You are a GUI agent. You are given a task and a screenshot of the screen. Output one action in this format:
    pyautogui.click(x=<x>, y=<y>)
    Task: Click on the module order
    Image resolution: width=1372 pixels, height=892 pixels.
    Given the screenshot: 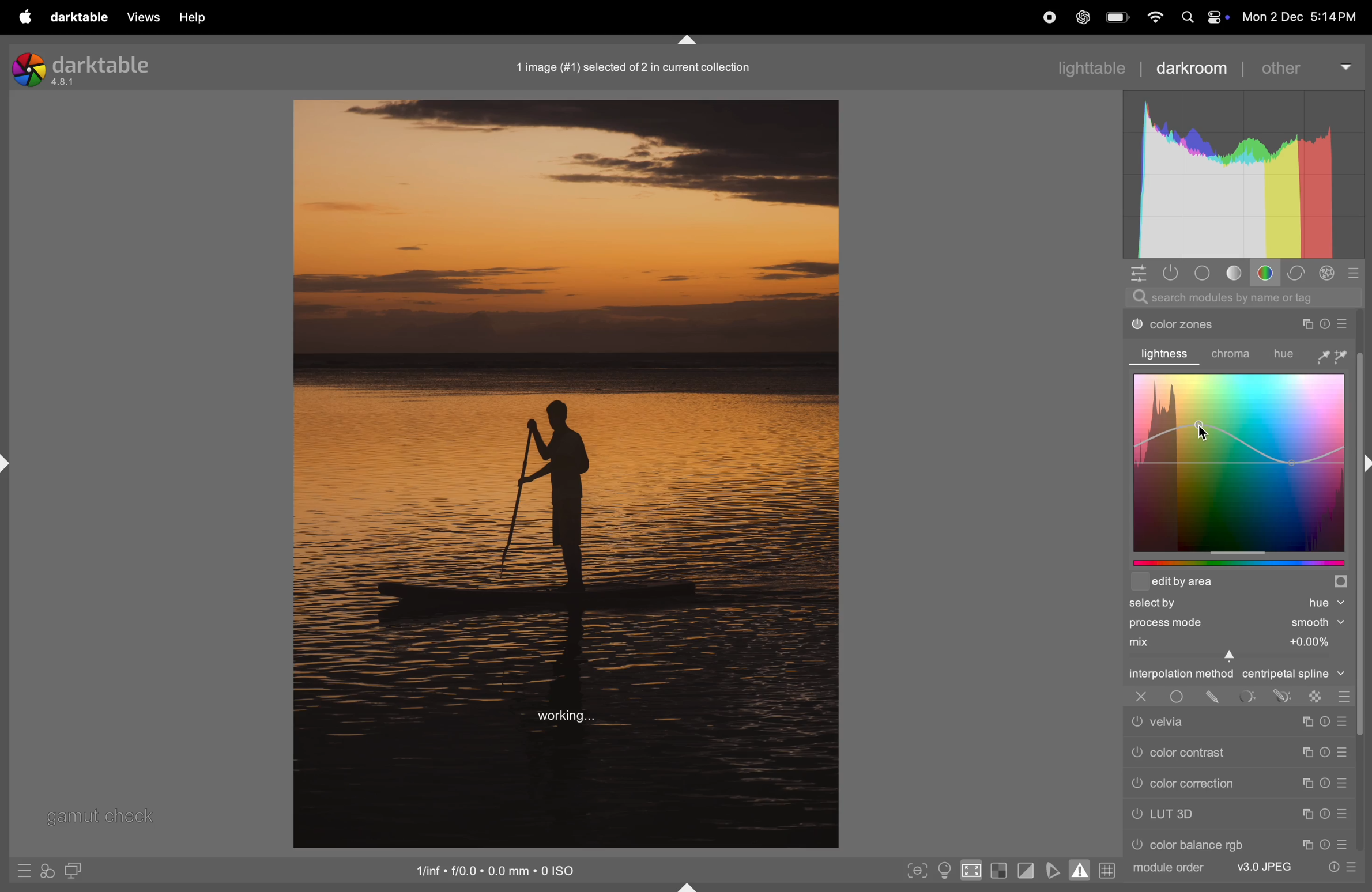 What is the action you would take?
    pyautogui.click(x=1169, y=870)
    